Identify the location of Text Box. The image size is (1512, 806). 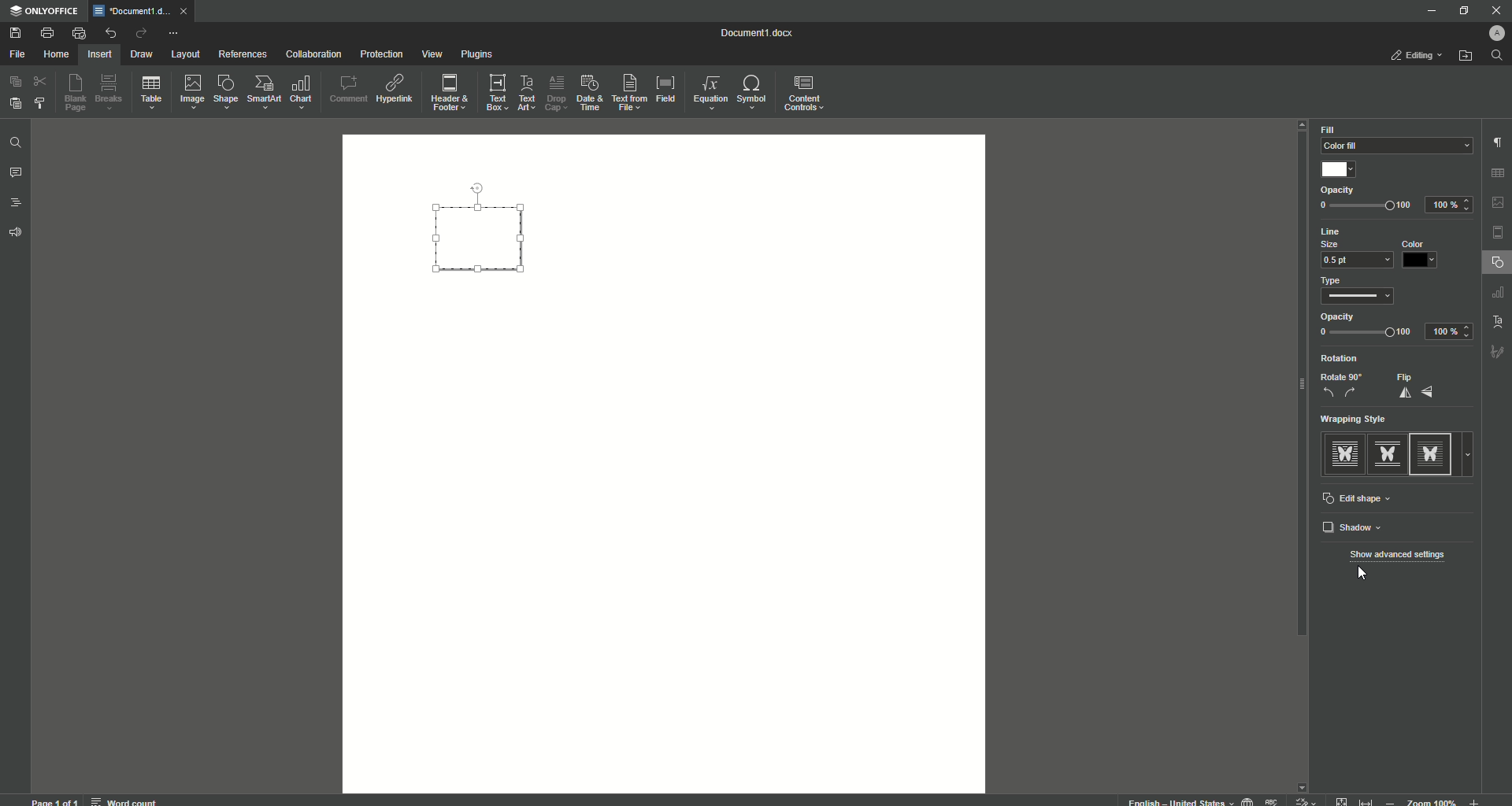
(492, 92).